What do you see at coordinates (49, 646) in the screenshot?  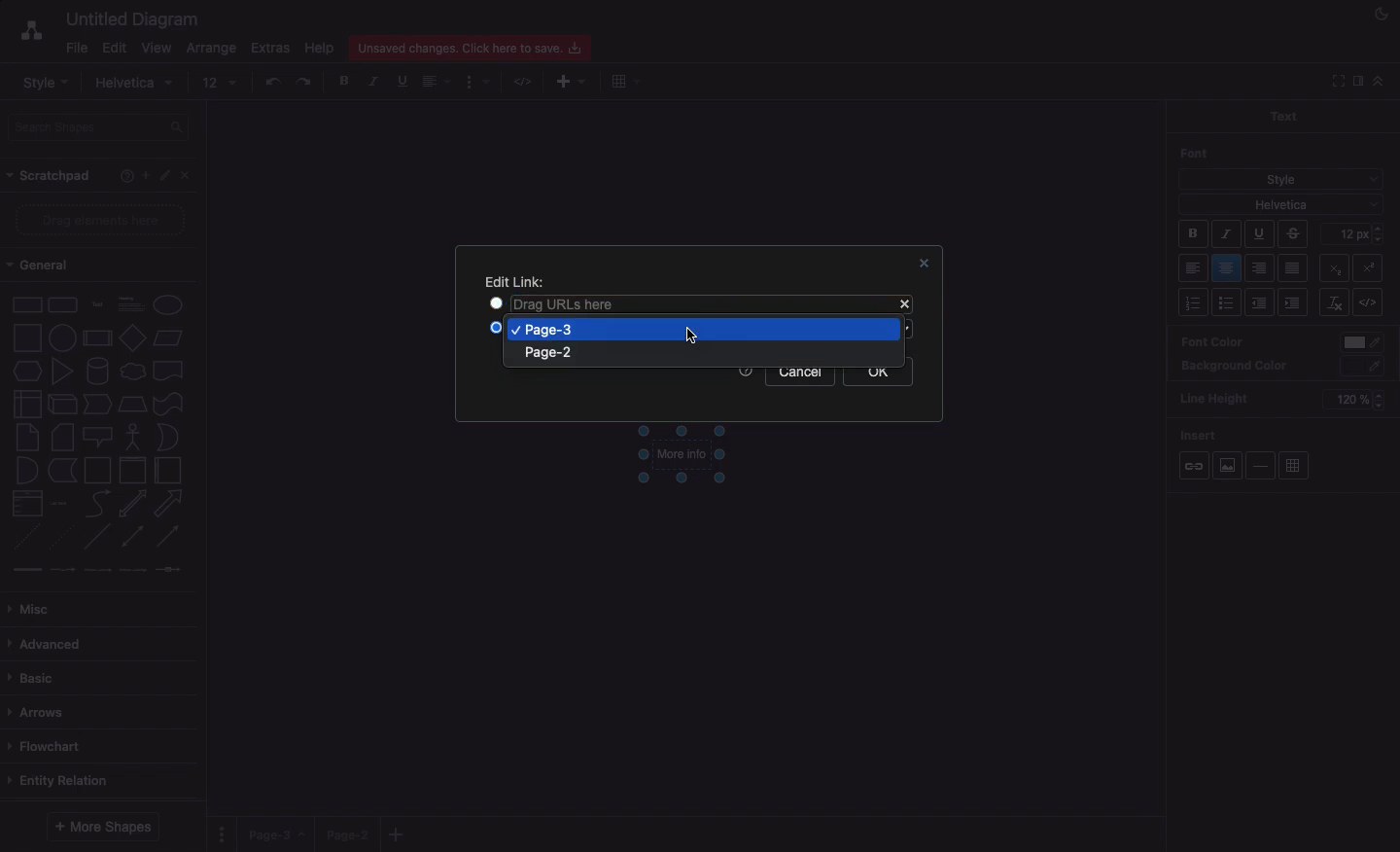 I see `Advanced` at bounding box center [49, 646].